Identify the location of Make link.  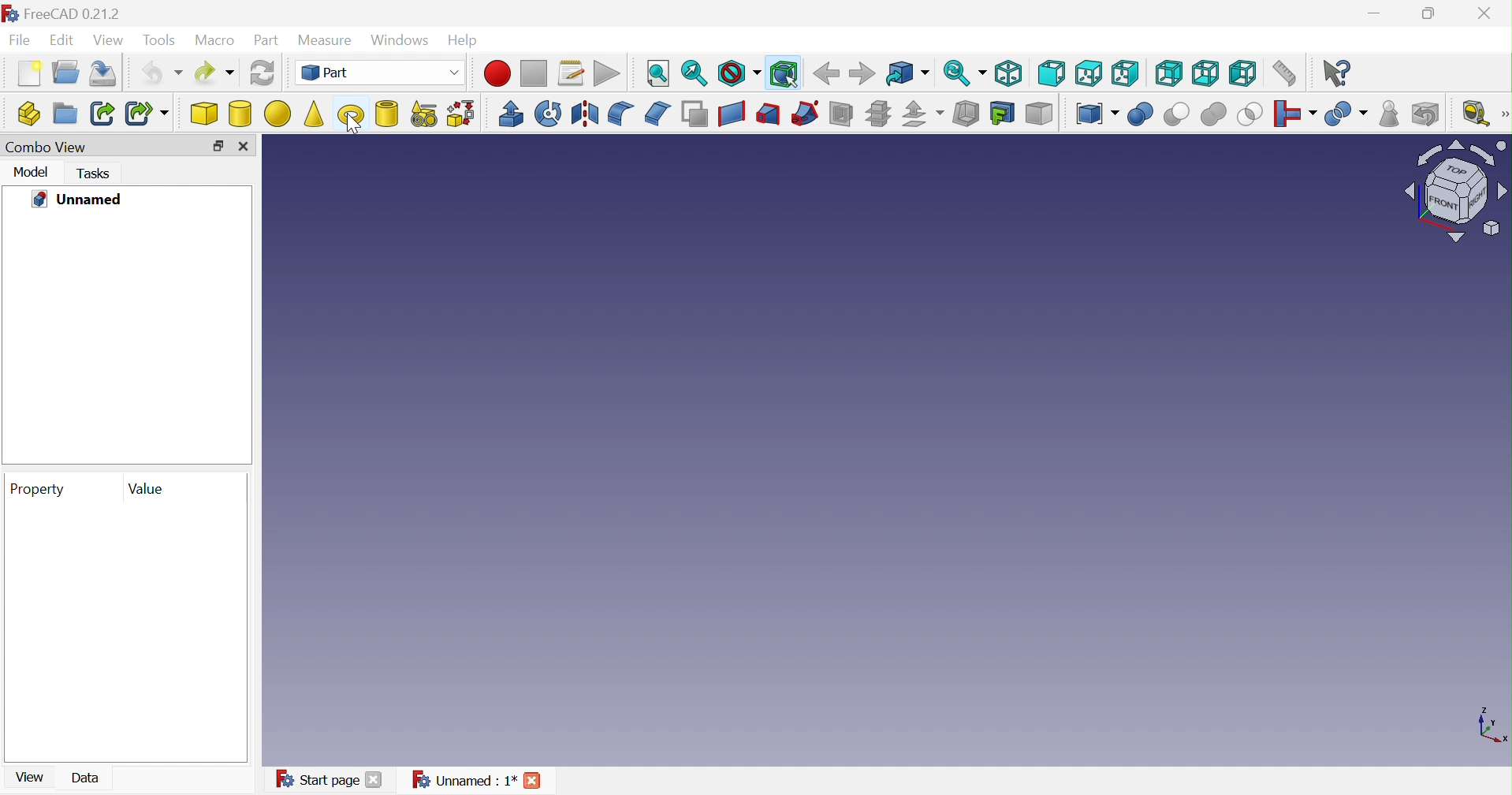
(103, 113).